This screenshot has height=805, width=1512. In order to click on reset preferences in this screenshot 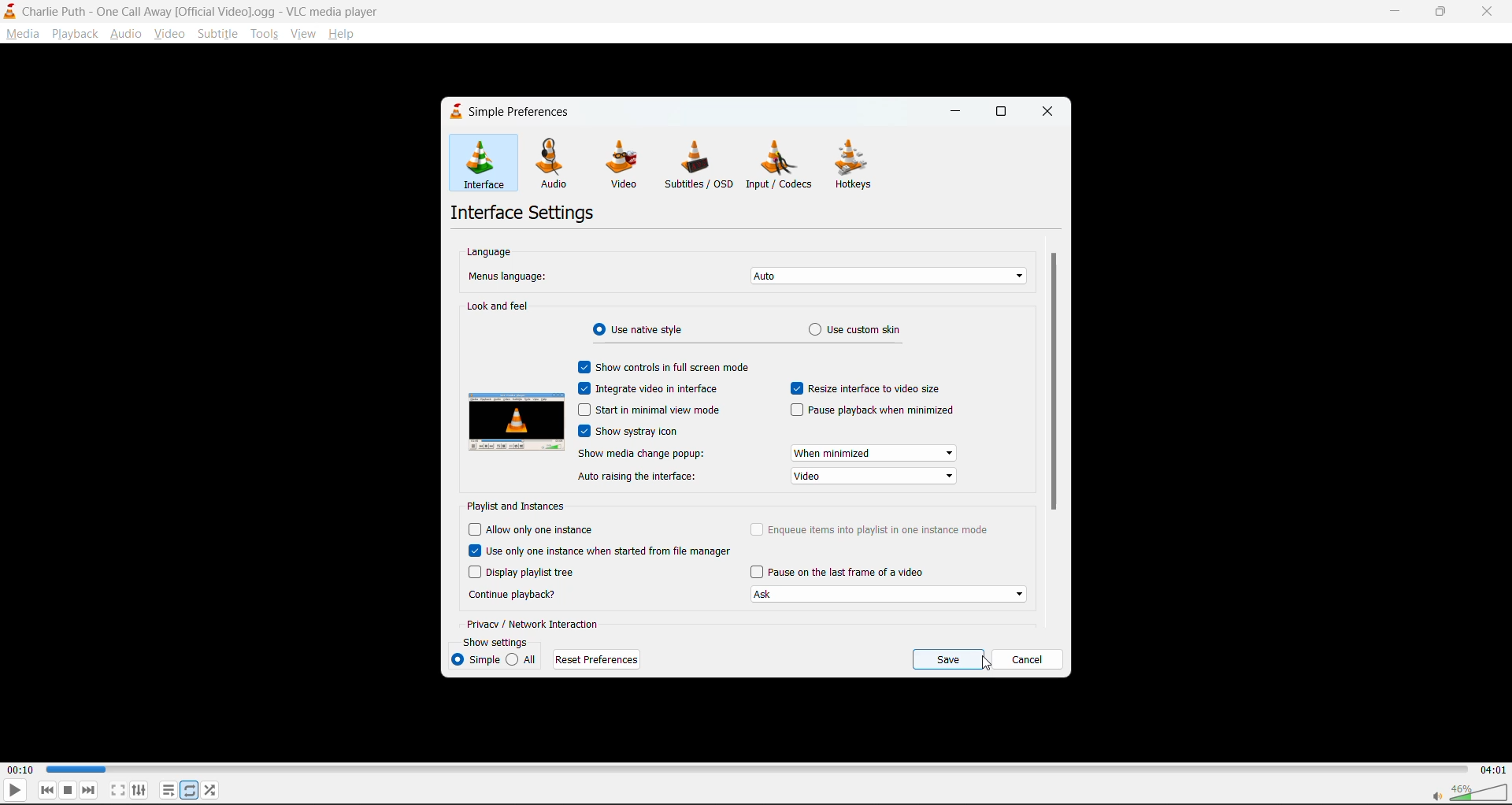, I will do `click(597, 661)`.